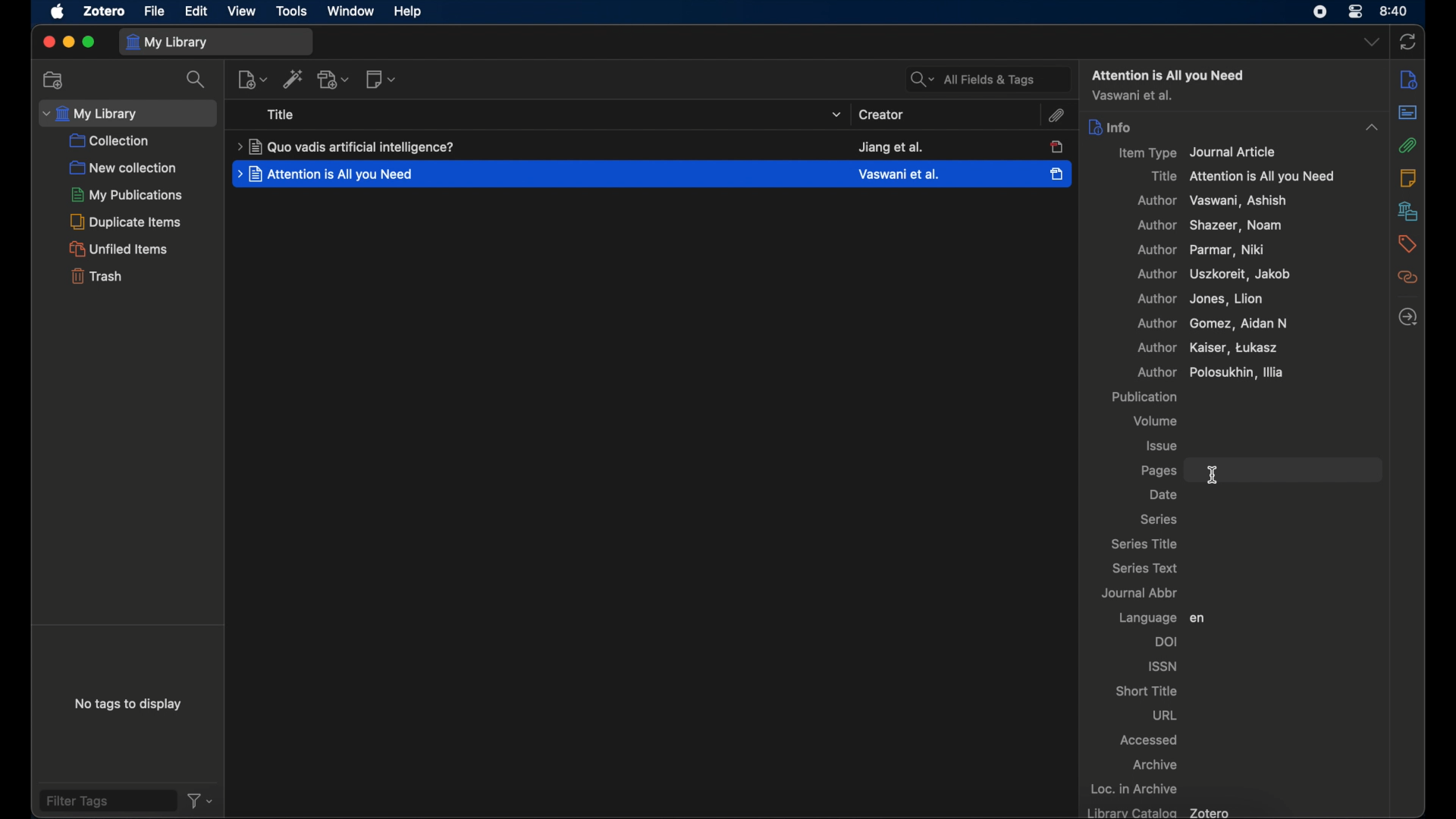 The image size is (1456, 819). What do you see at coordinates (1410, 179) in the screenshot?
I see `notes ` at bounding box center [1410, 179].